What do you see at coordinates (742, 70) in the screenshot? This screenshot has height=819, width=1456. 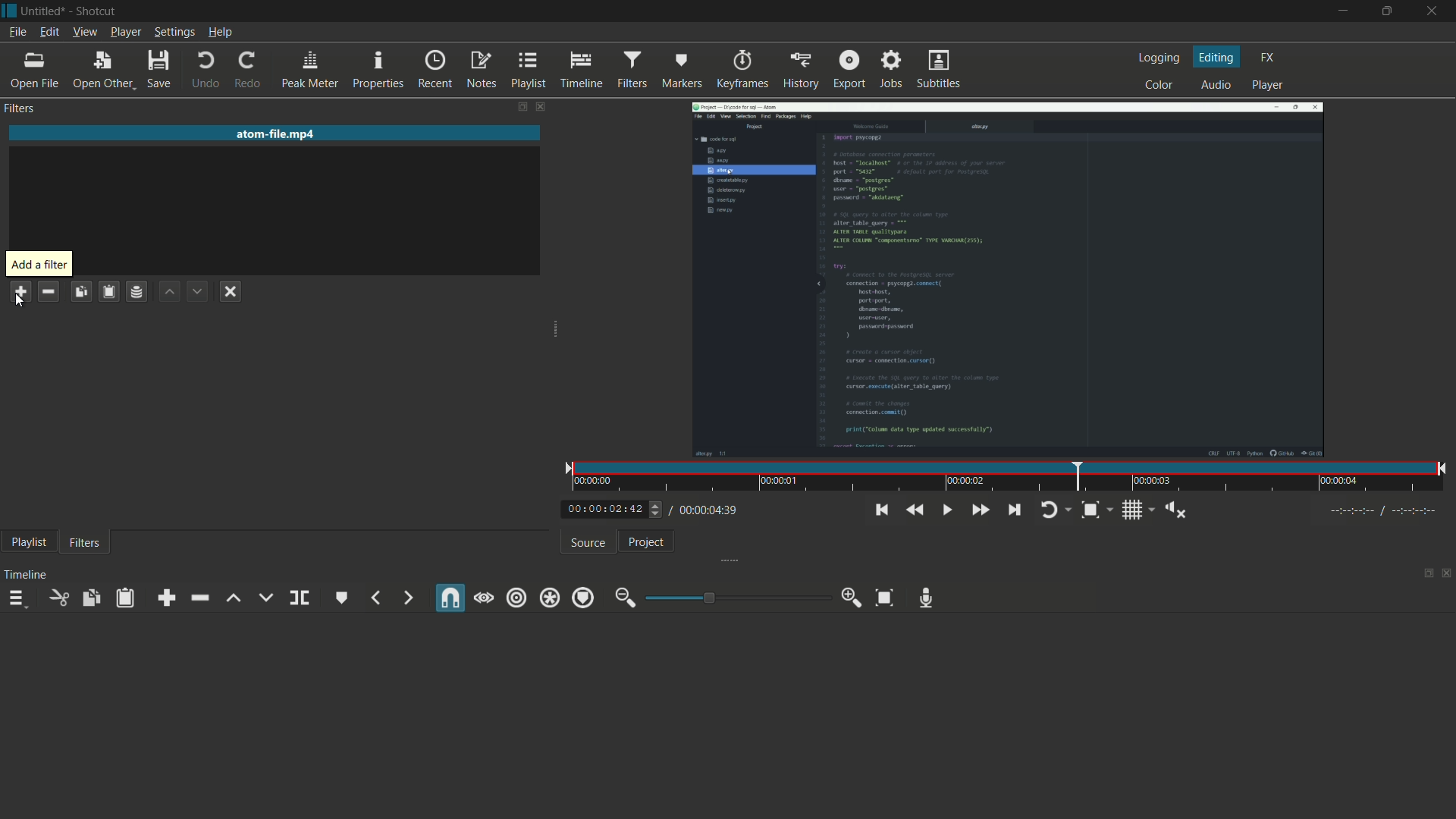 I see `keyframes` at bounding box center [742, 70].